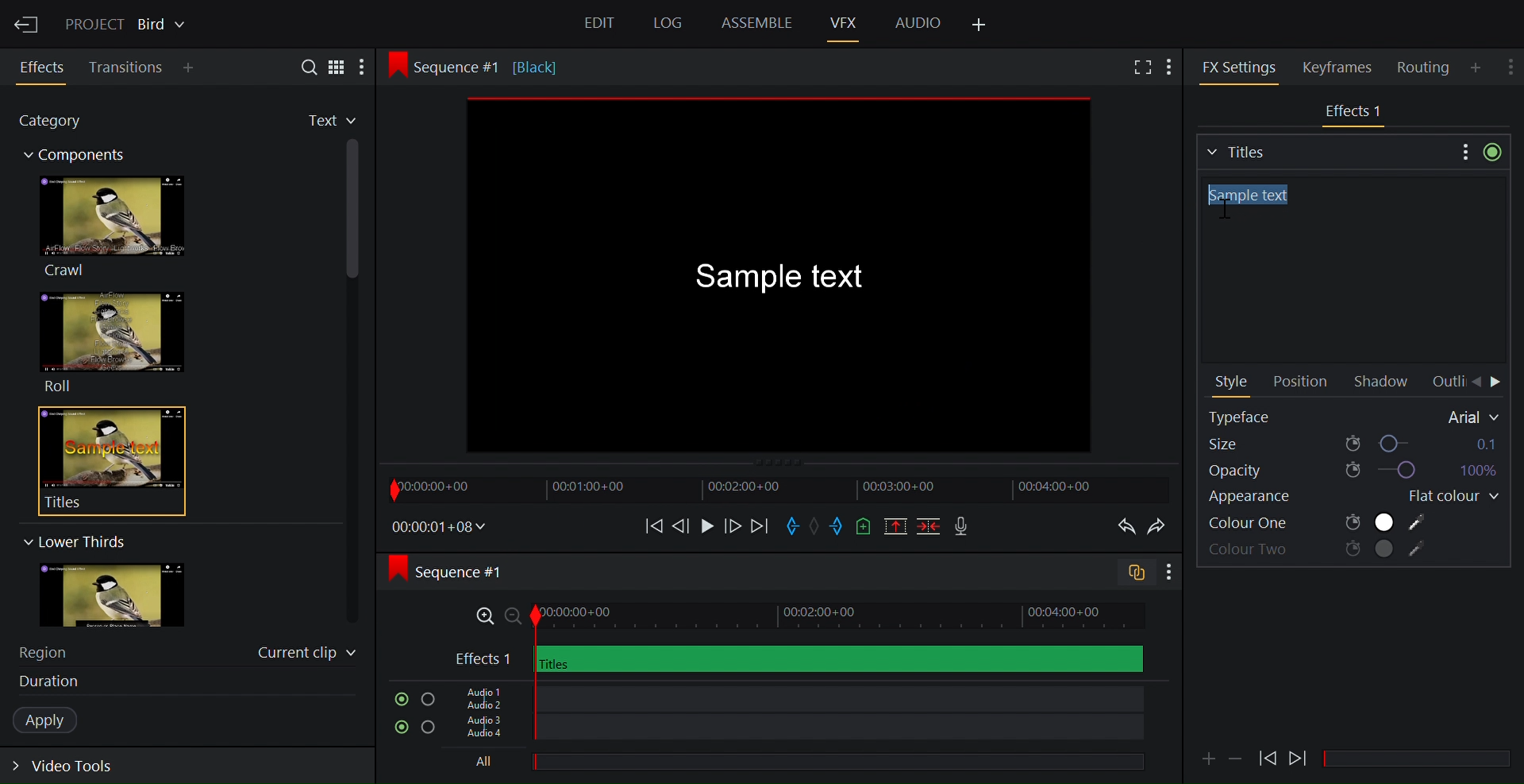 Image resolution: width=1524 pixels, height=784 pixels. I want to click on Assemble, so click(756, 23).